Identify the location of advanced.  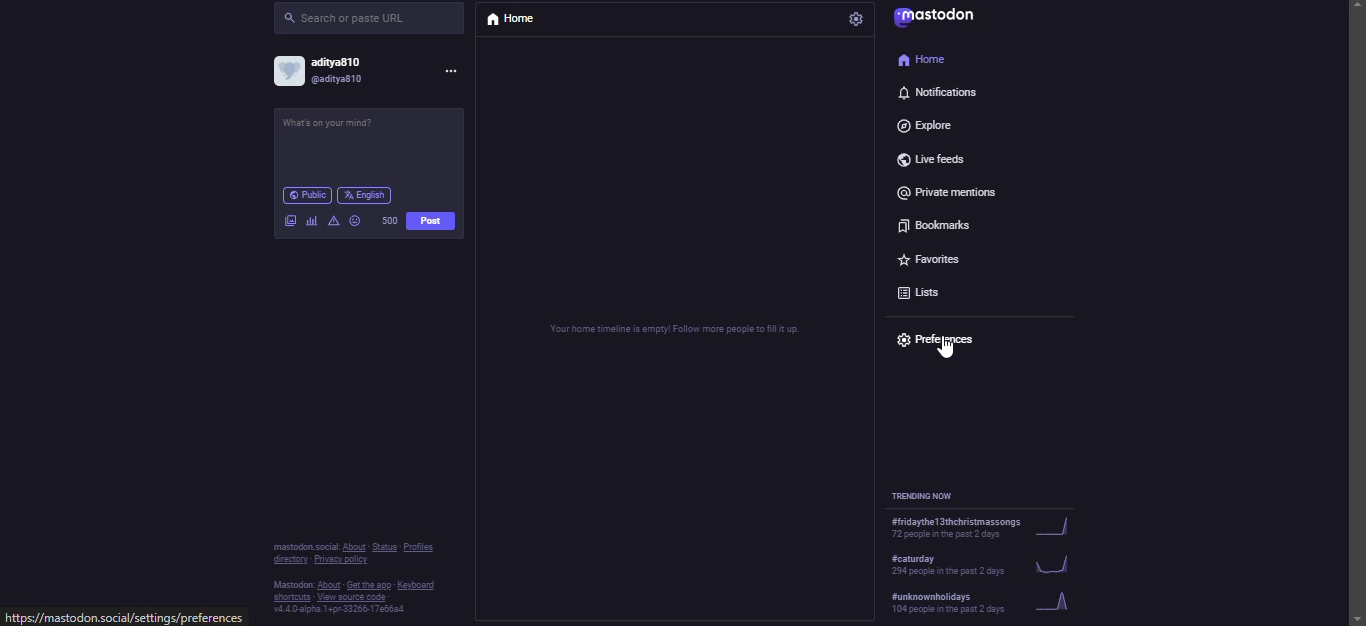
(332, 219).